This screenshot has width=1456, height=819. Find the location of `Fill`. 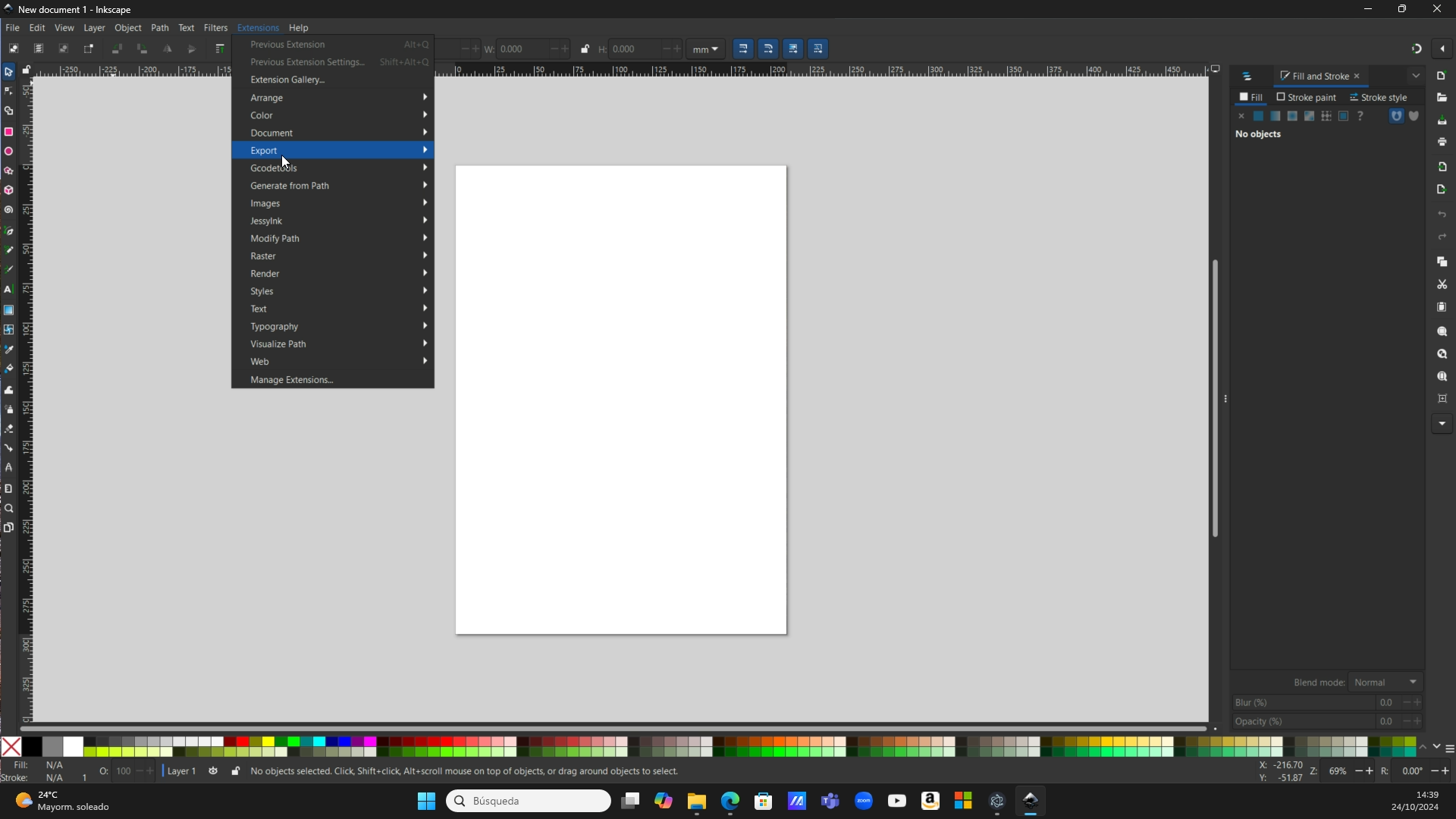

Fill is located at coordinates (1253, 99).